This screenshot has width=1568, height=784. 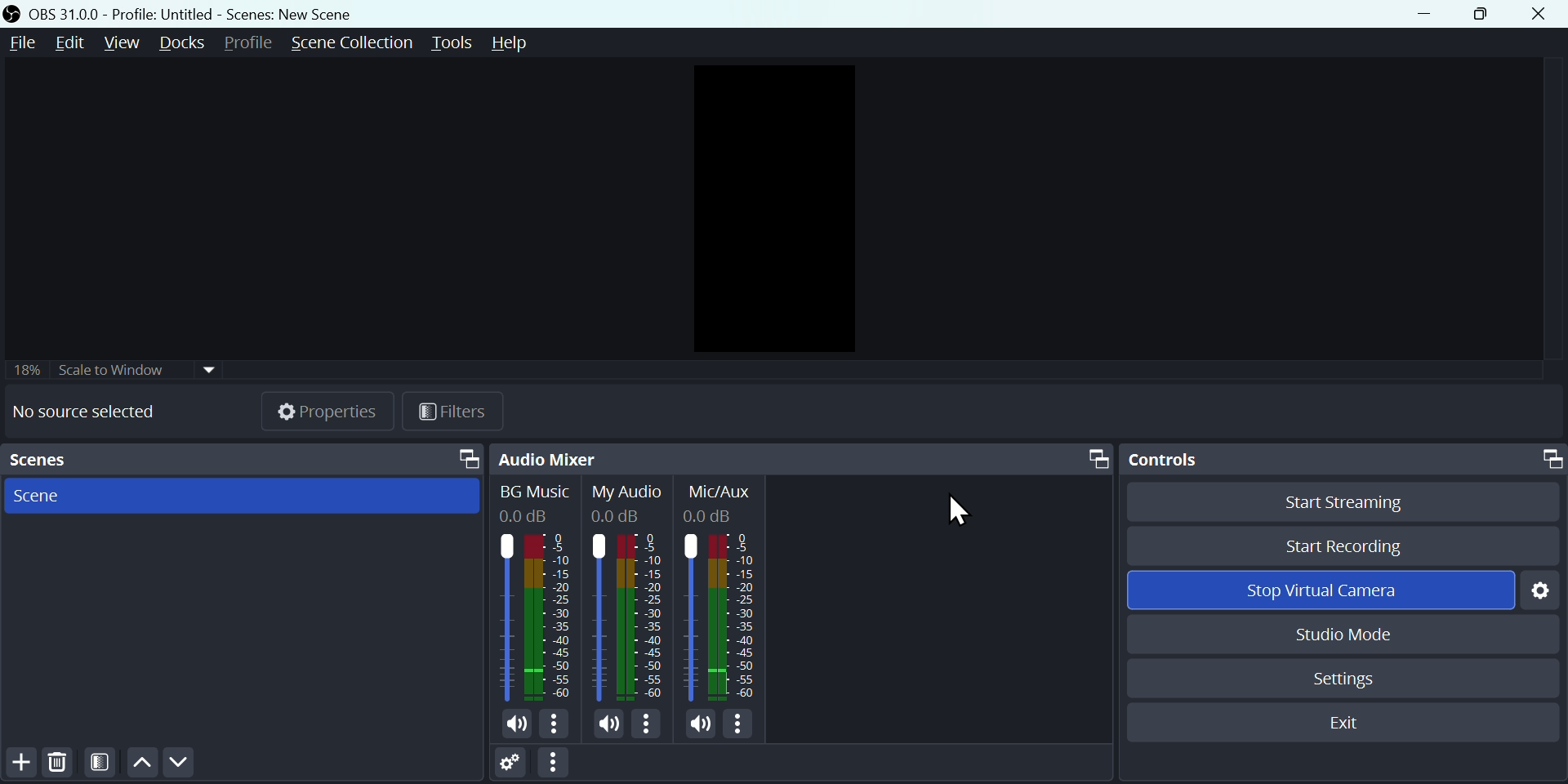 What do you see at coordinates (1539, 590) in the screenshot?
I see `Settings` at bounding box center [1539, 590].